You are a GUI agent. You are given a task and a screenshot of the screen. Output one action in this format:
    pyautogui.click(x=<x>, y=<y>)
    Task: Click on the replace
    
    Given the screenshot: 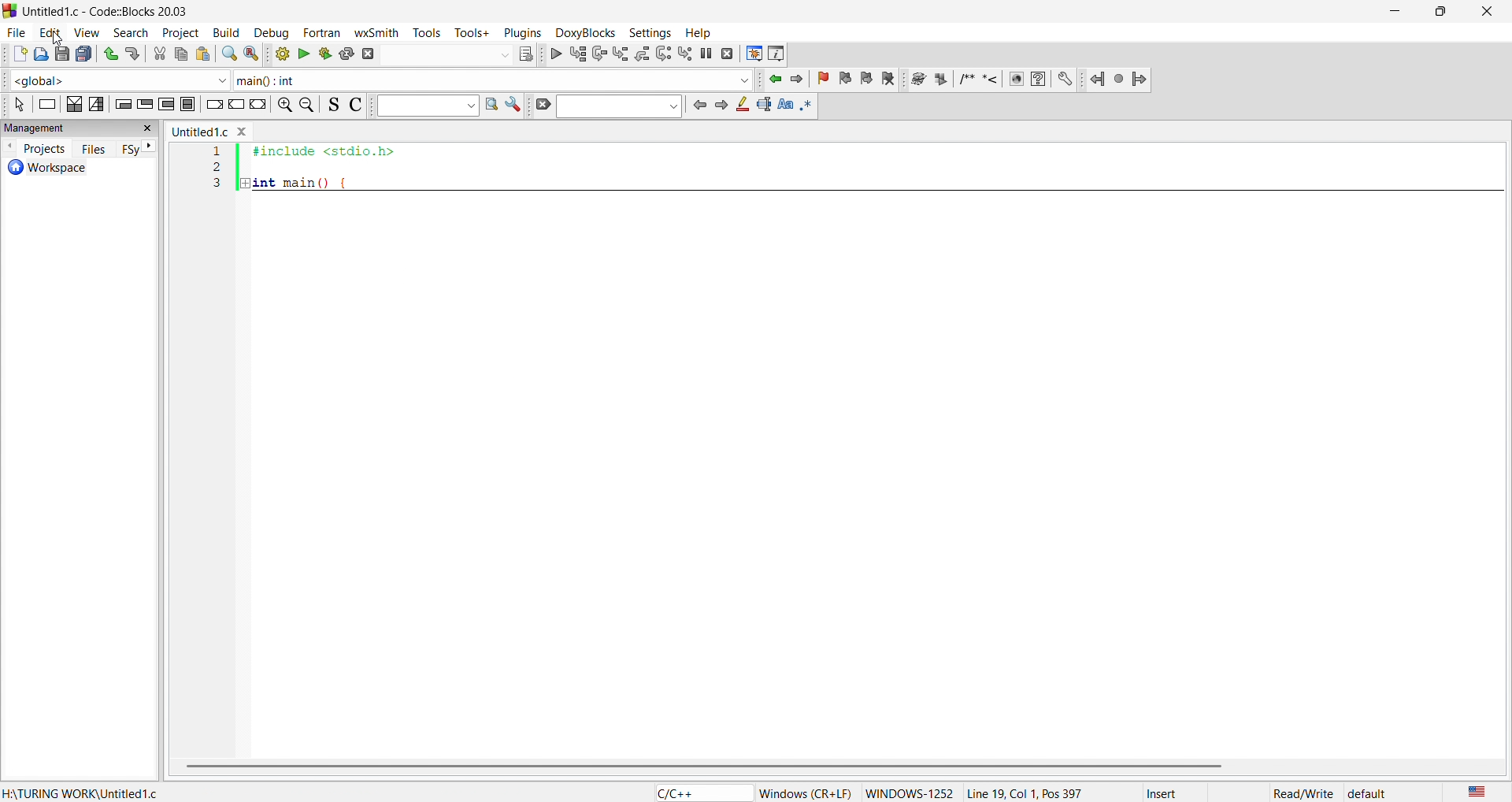 What is the action you would take?
    pyautogui.click(x=250, y=54)
    